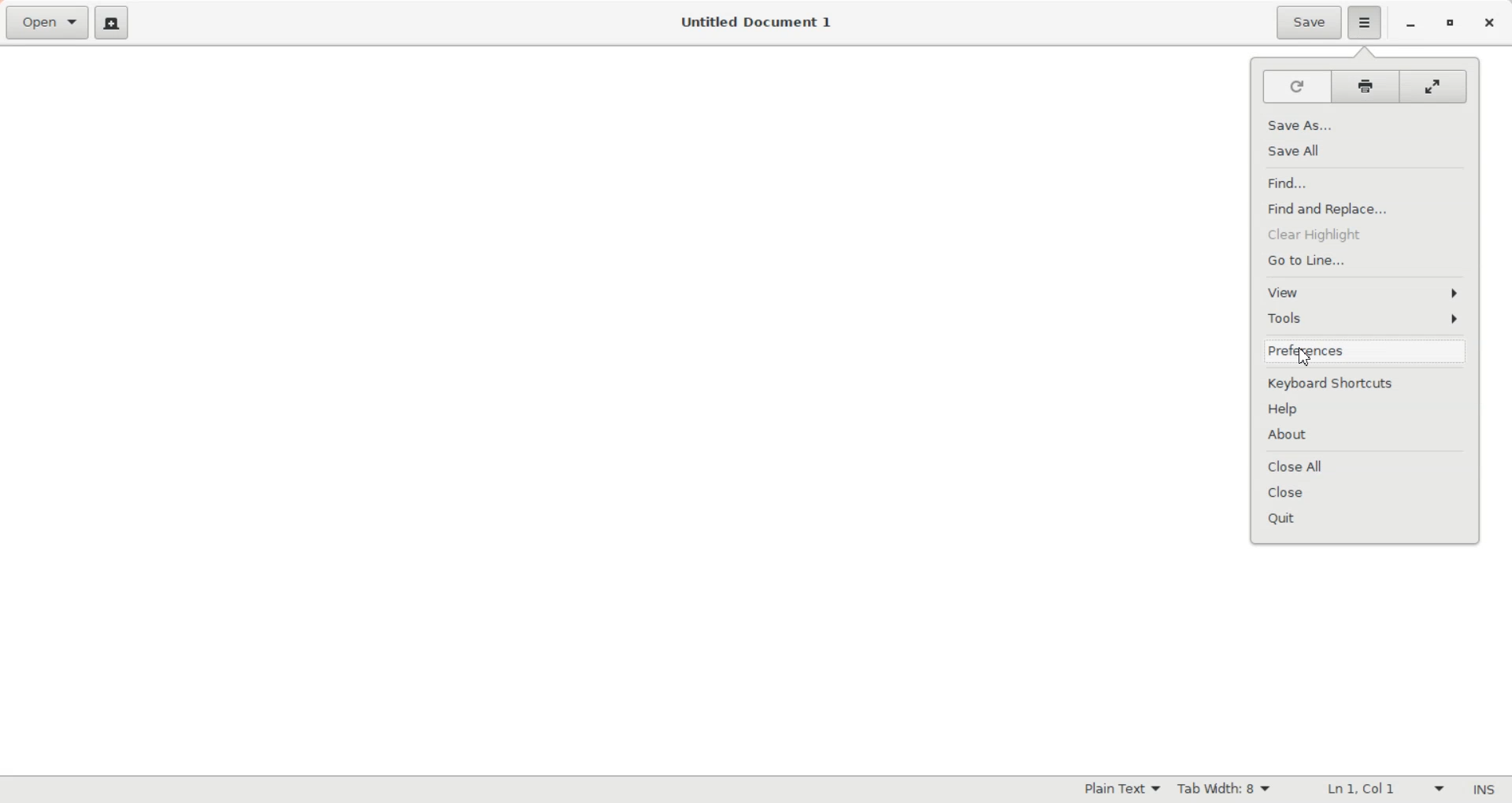  Describe the element at coordinates (1368, 385) in the screenshot. I see `Keyboard Shortcuts` at that location.